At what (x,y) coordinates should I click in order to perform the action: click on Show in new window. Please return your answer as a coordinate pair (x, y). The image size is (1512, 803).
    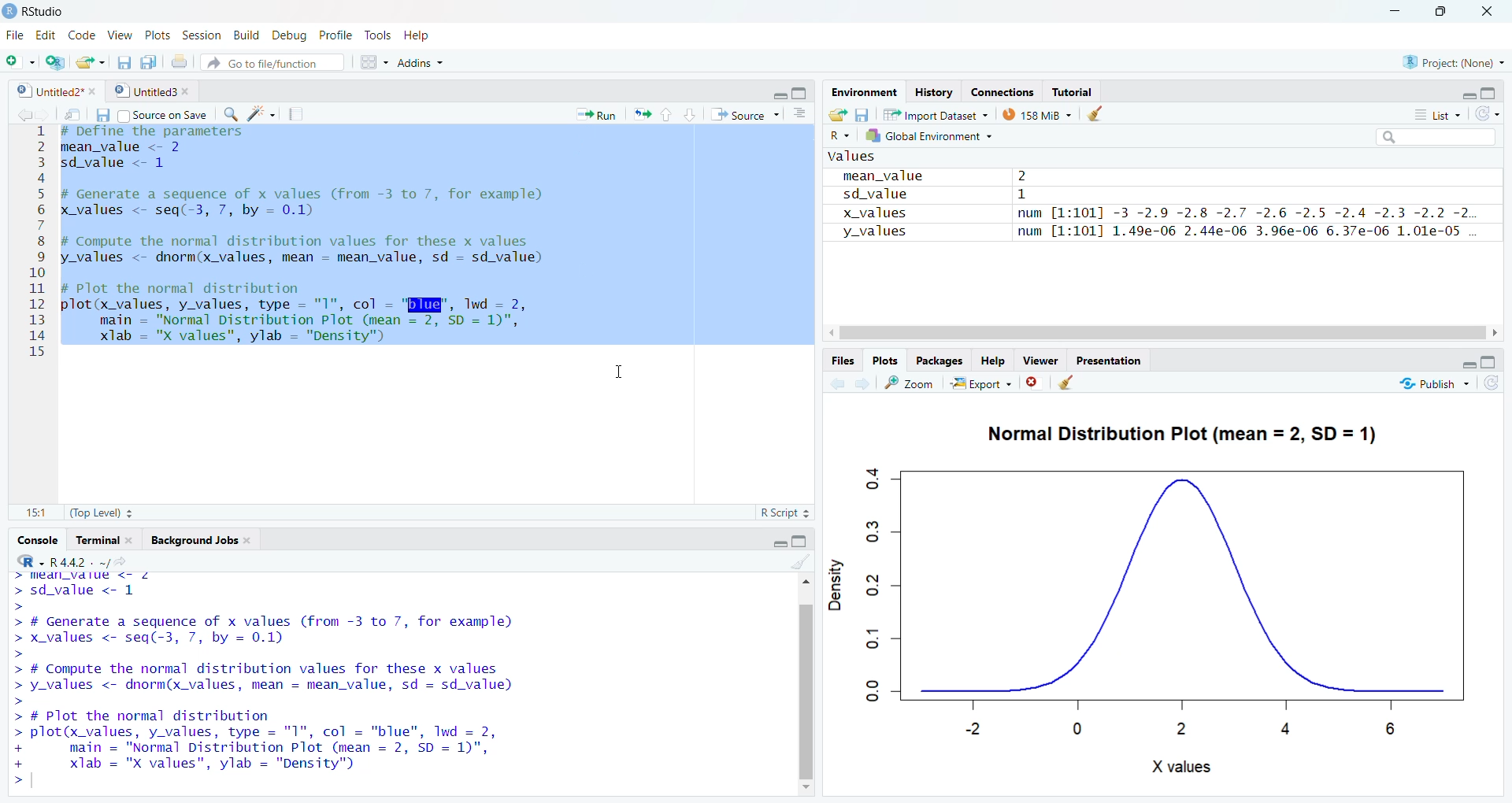
    Looking at the image, I should click on (69, 113).